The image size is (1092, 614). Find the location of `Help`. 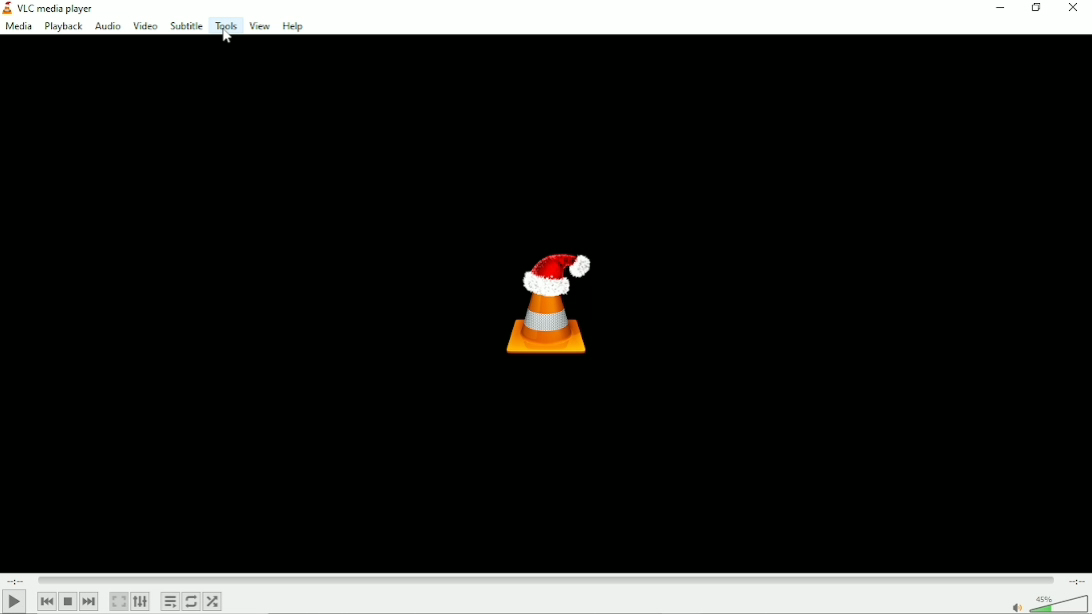

Help is located at coordinates (293, 25).